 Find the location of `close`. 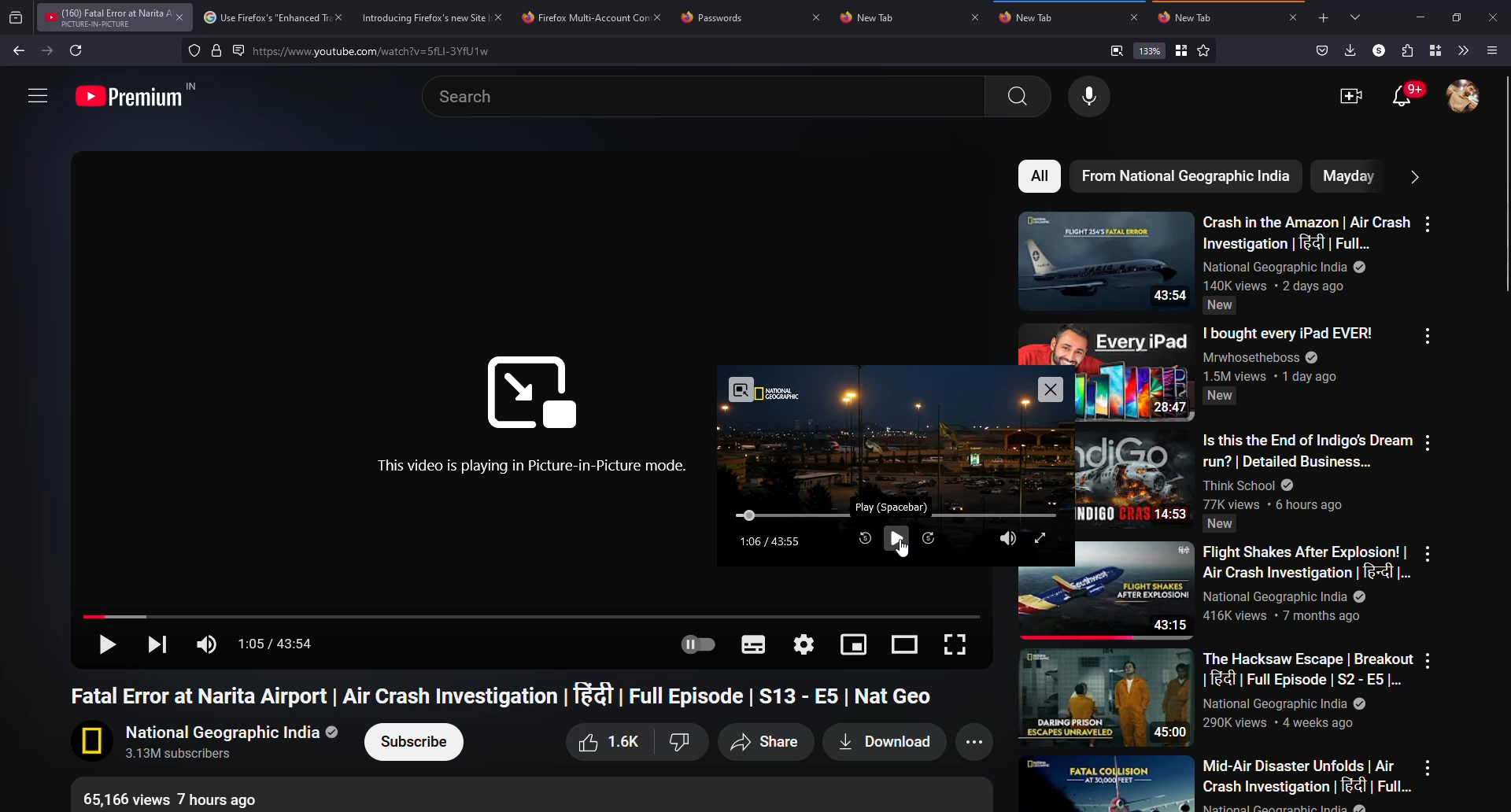

close is located at coordinates (976, 17).